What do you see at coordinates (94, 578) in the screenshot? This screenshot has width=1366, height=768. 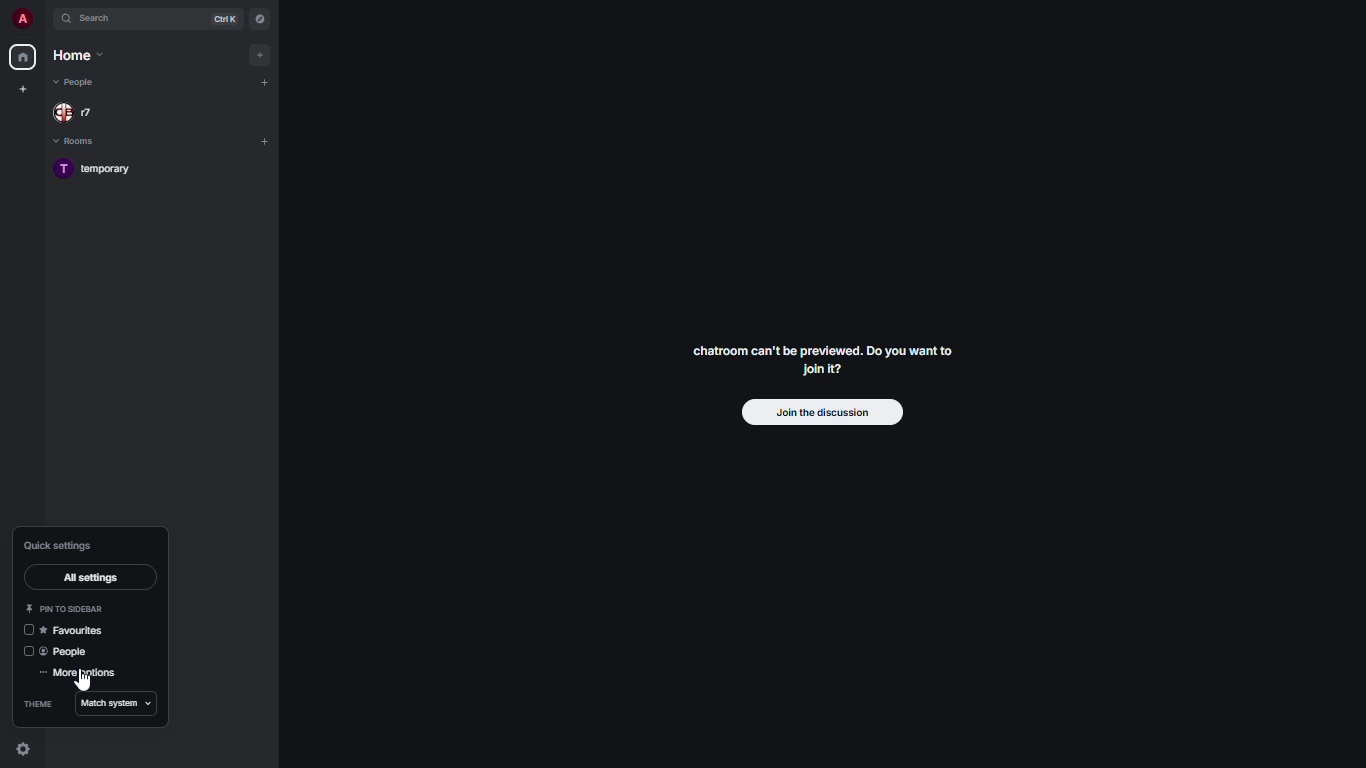 I see `all settings` at bounding box center [94, 578].